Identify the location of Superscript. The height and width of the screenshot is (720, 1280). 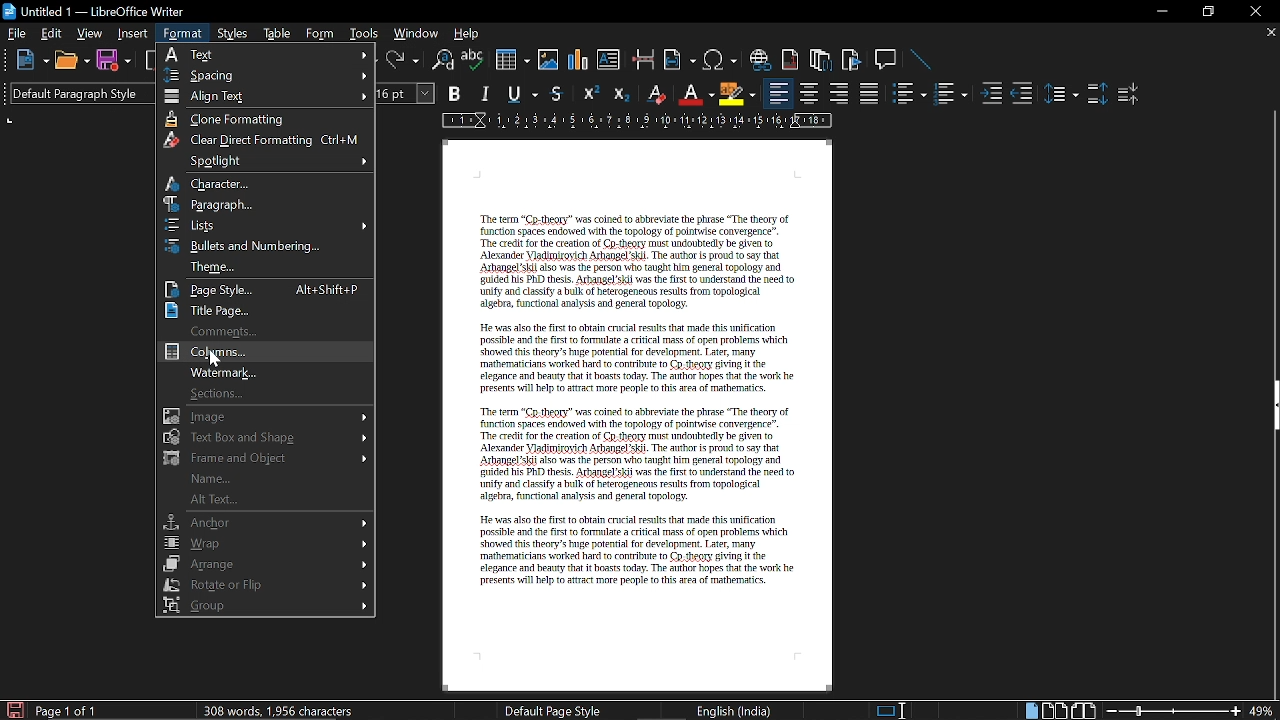
(590, 94).